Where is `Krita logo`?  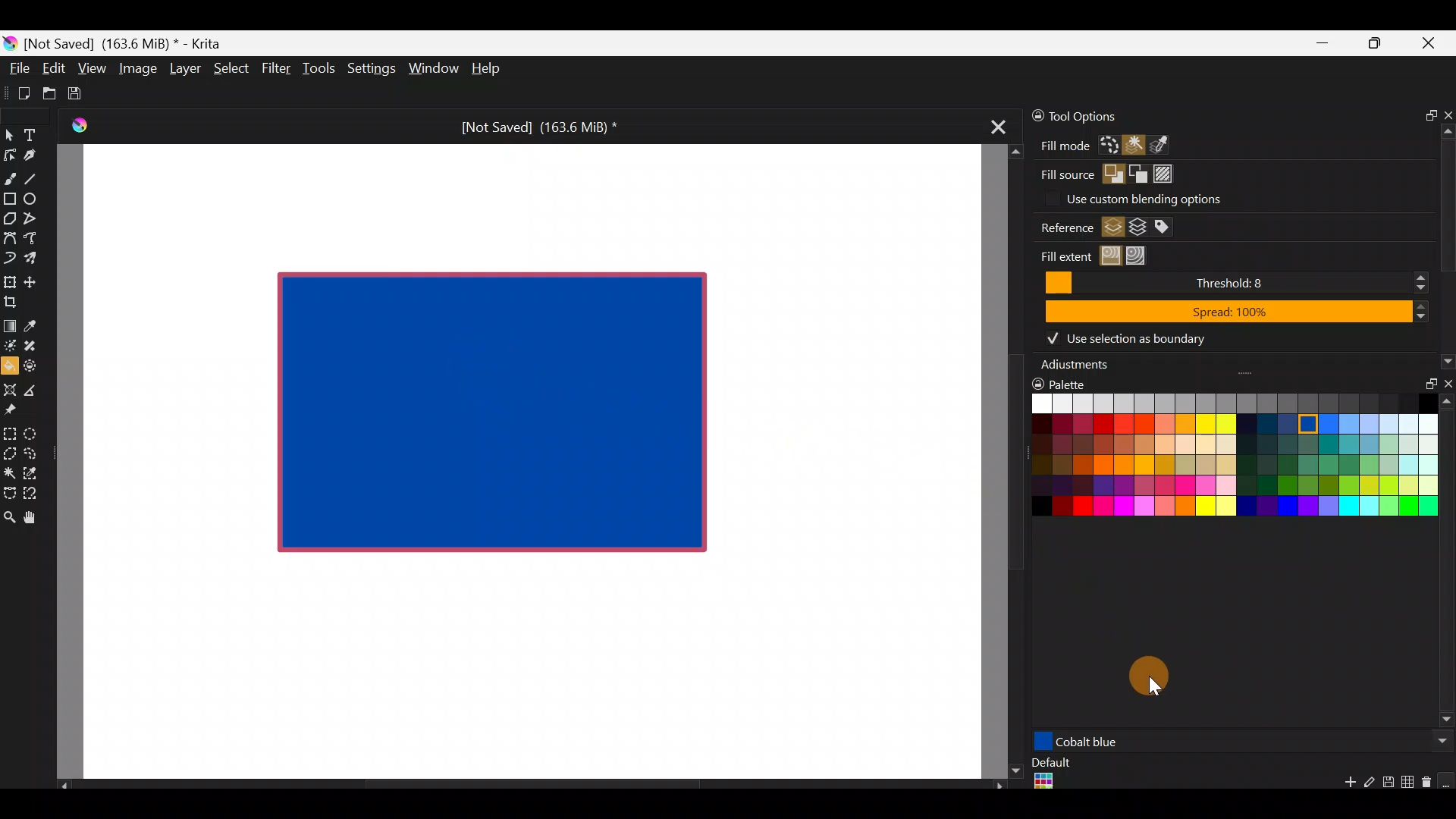
Krita logo is located at coordinates (11, 42).